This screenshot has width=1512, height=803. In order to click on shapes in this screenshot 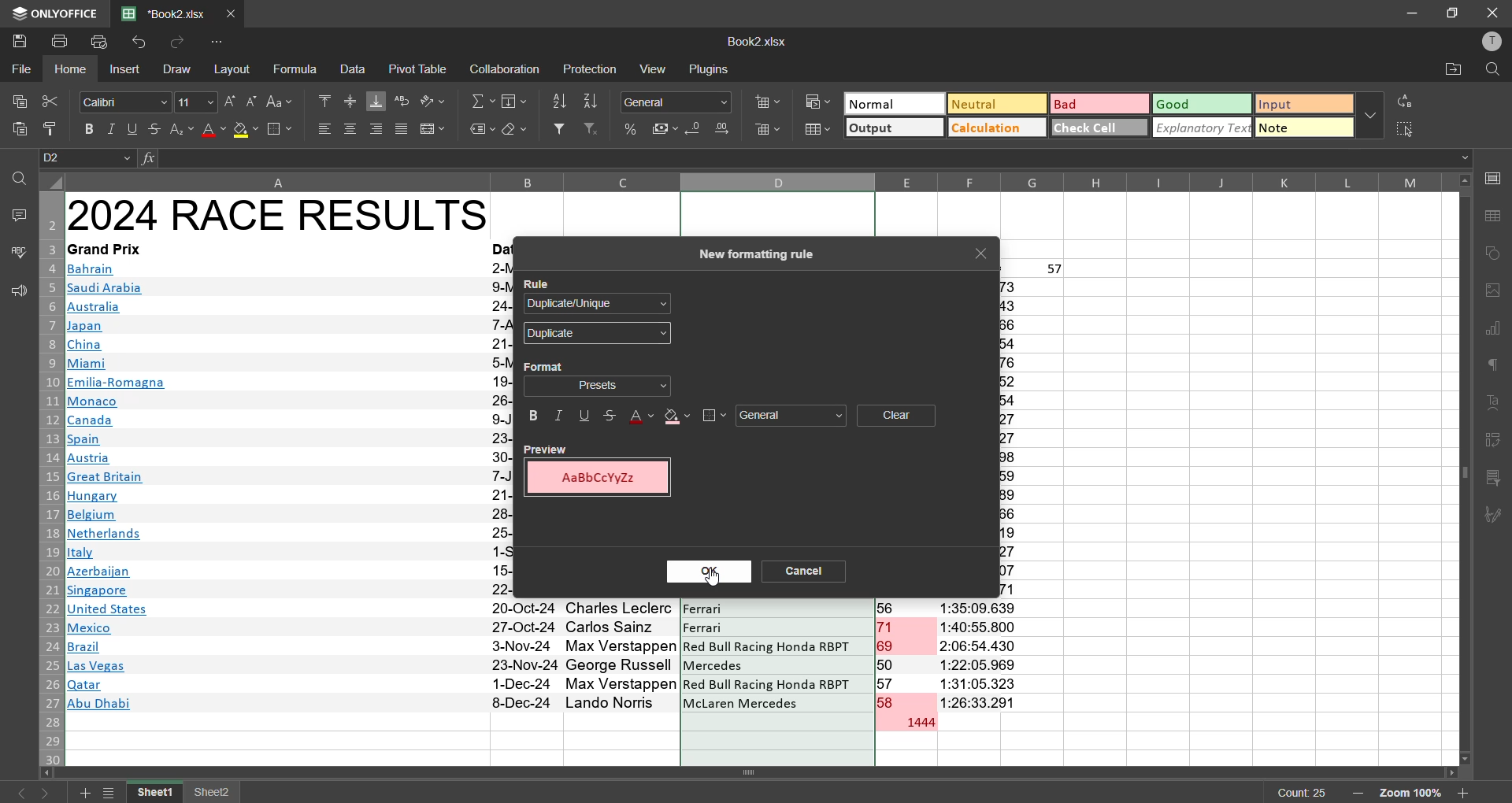, I will do `click(1495, 253)`.